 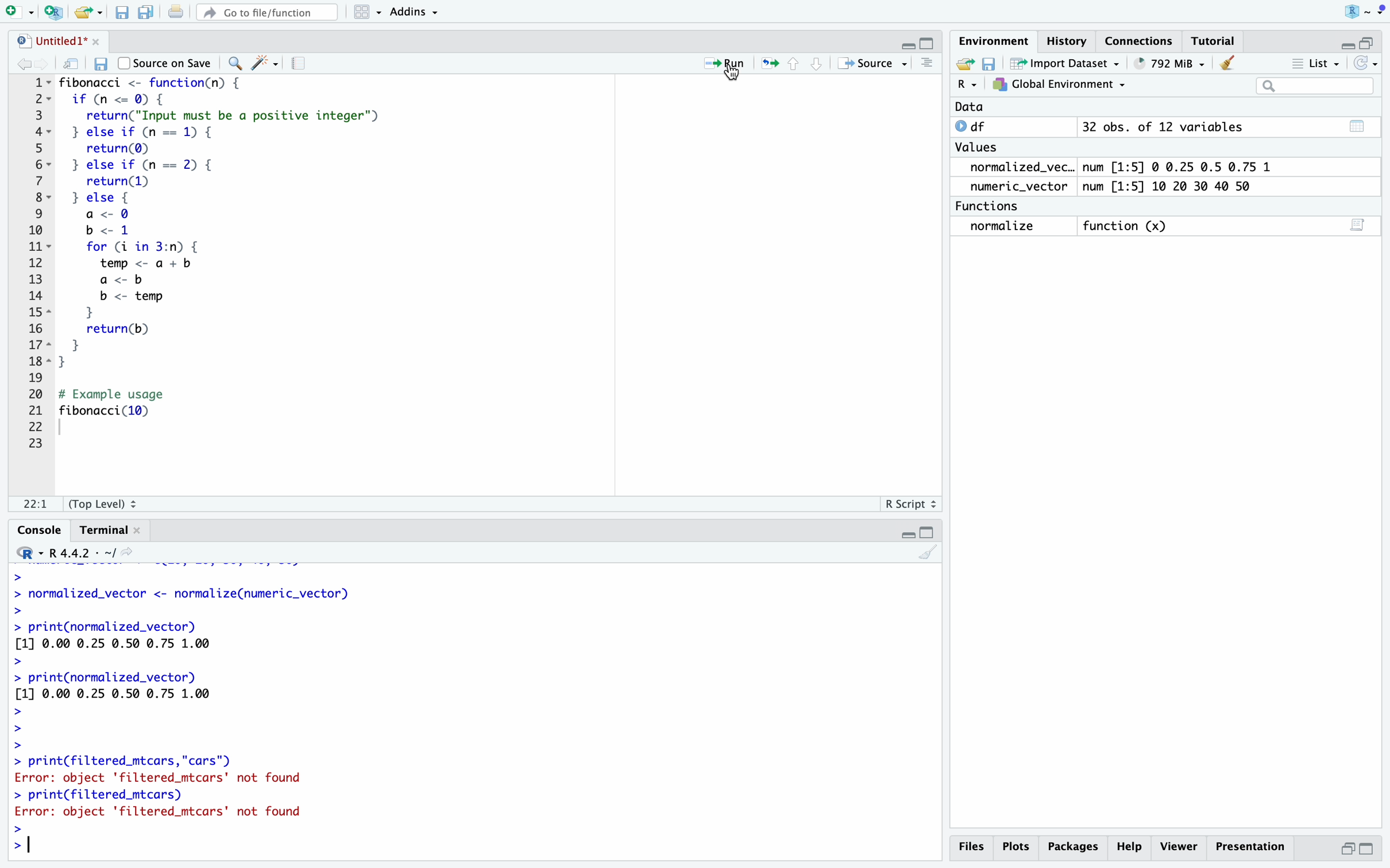 I want to click on clear console, so click(x=924, y=63).